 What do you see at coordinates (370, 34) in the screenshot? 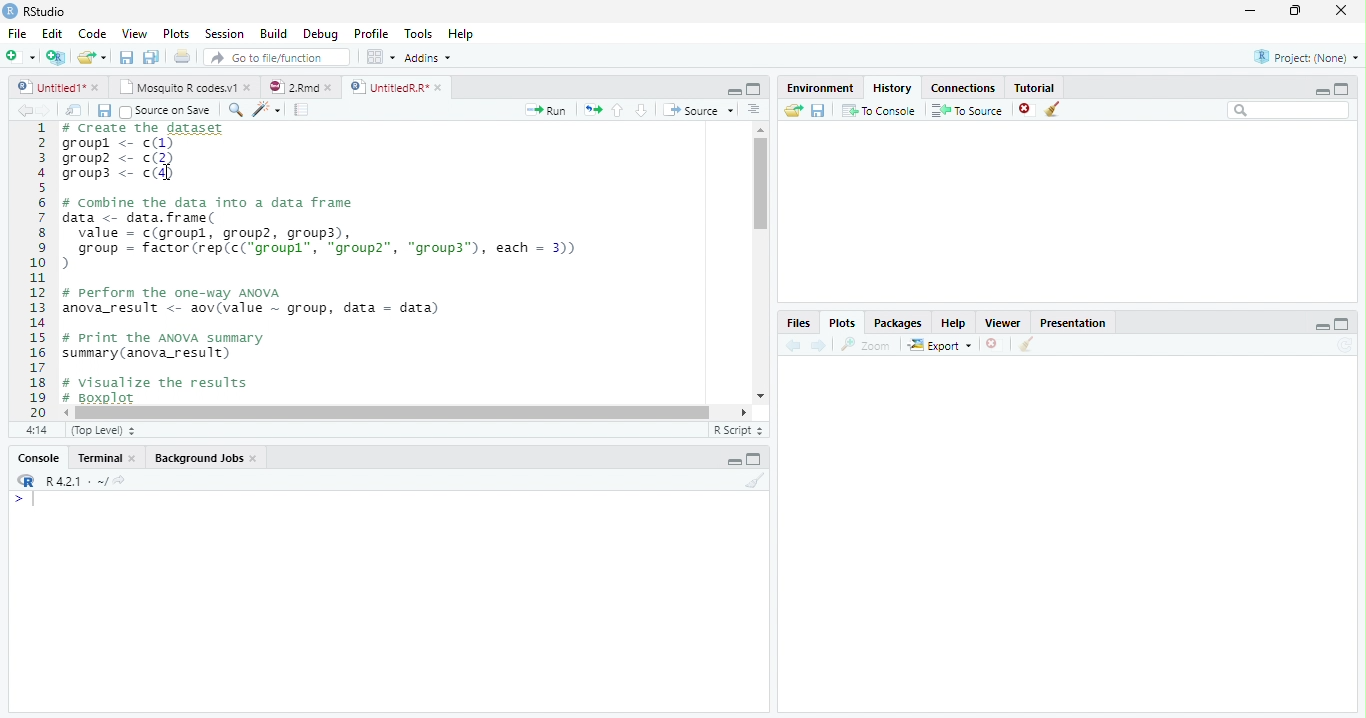
I see `Profile` at bounding box center [370, 34].